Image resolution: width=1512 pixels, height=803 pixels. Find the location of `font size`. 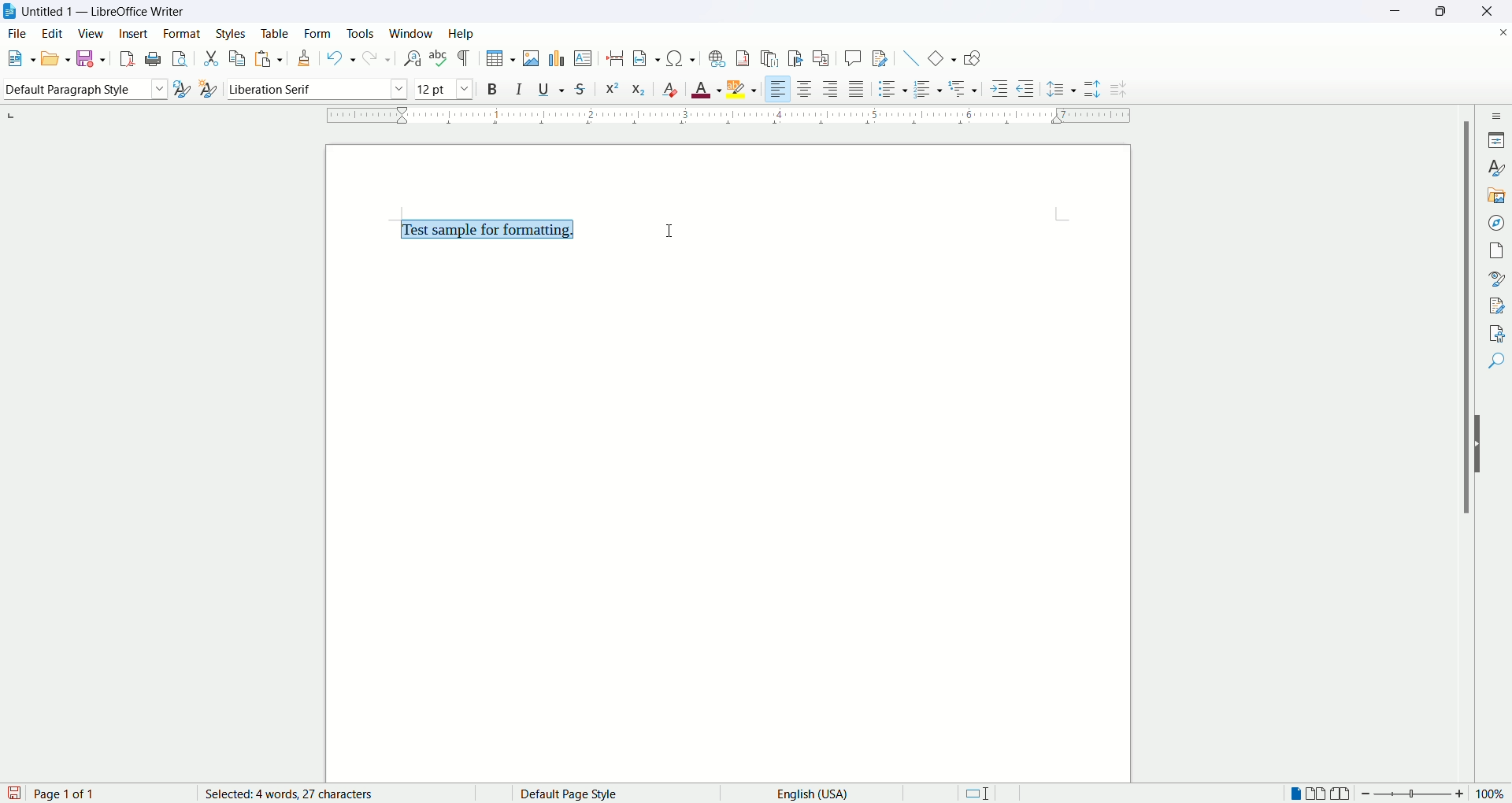

font size is located at coordinates (445, 90).